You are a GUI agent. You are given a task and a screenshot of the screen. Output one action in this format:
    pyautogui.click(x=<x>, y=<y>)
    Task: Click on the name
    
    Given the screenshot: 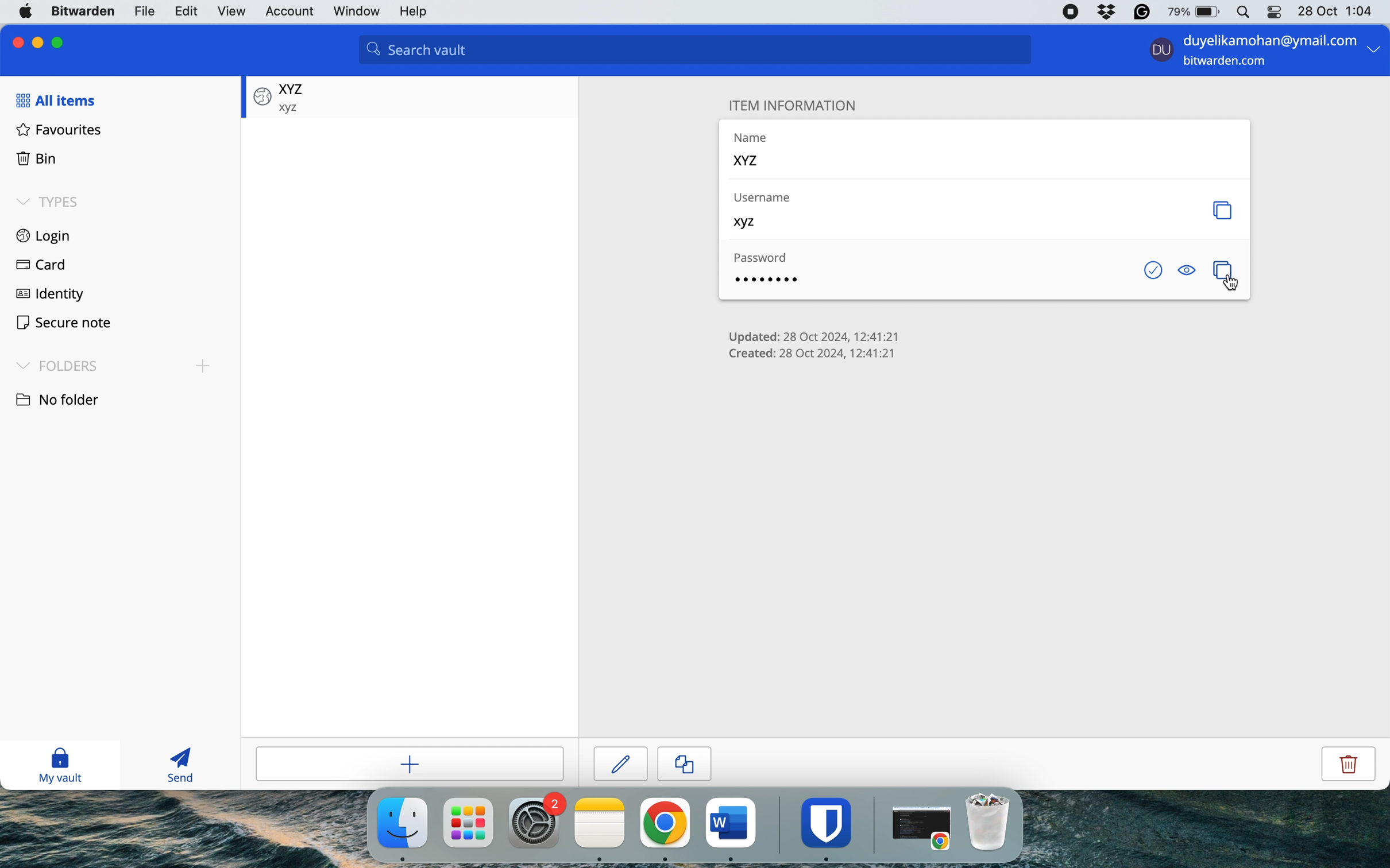 What is the action you would take?
    pyautogui.click(x=758, y=150)
    